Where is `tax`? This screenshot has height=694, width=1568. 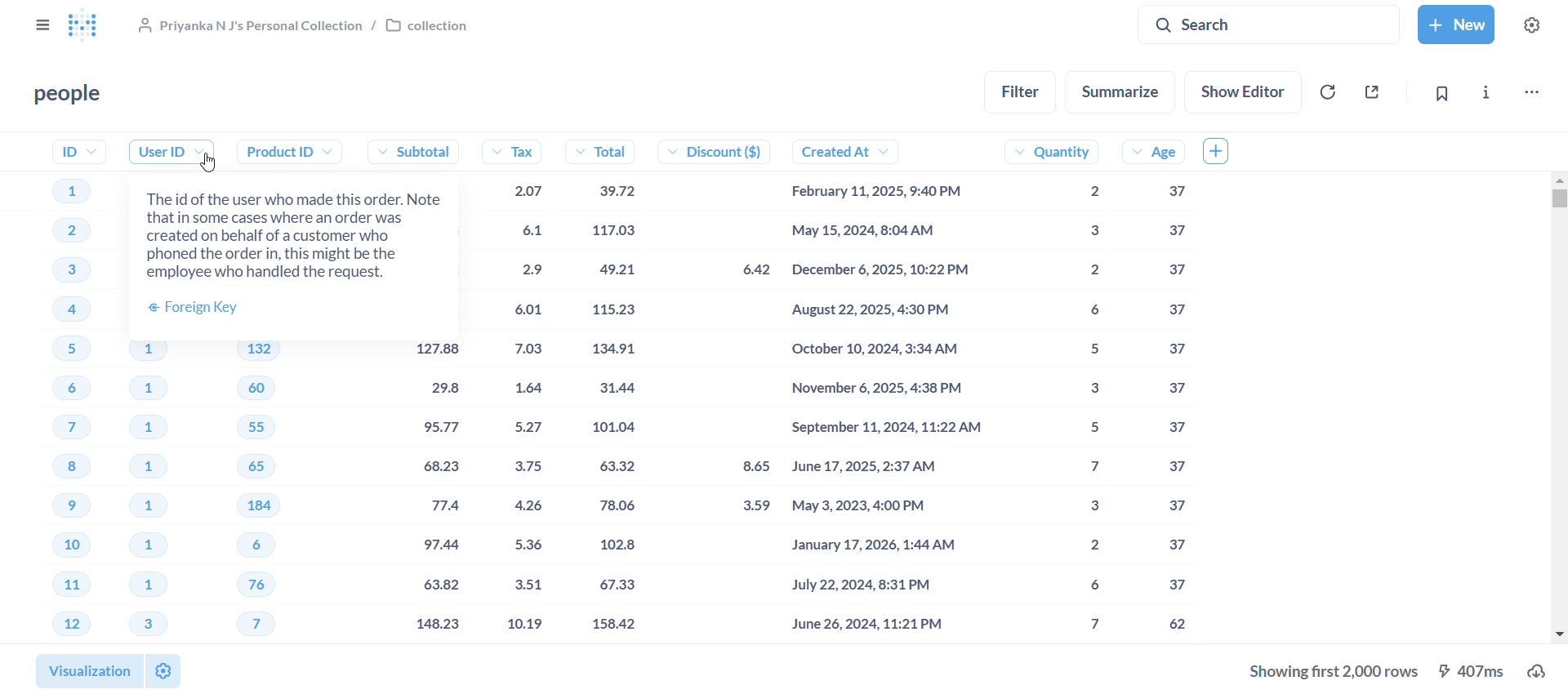
tax is located at coordinates (519, 388).